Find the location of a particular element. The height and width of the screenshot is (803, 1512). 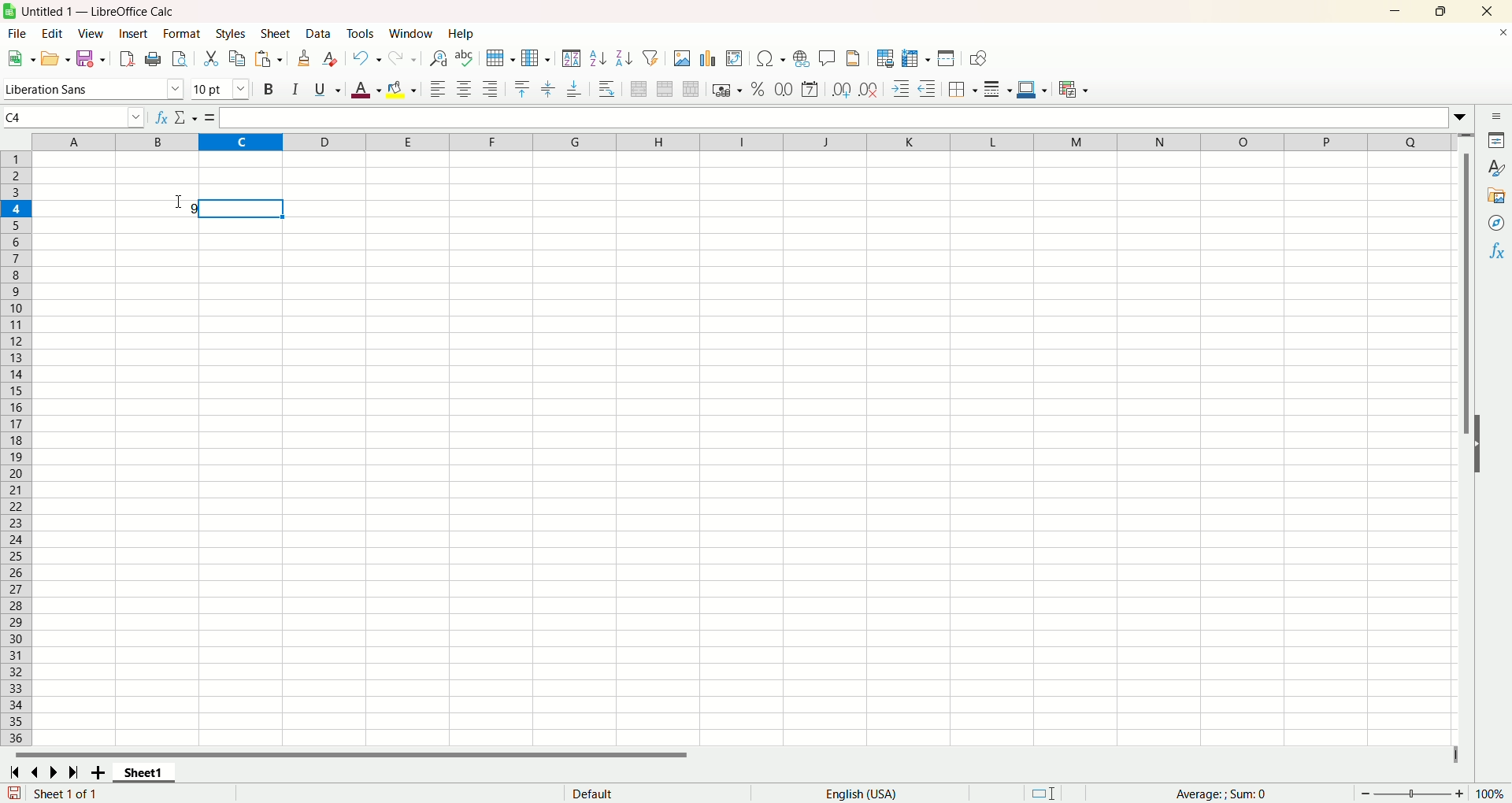

styles is located at coordinates (1497, 168).